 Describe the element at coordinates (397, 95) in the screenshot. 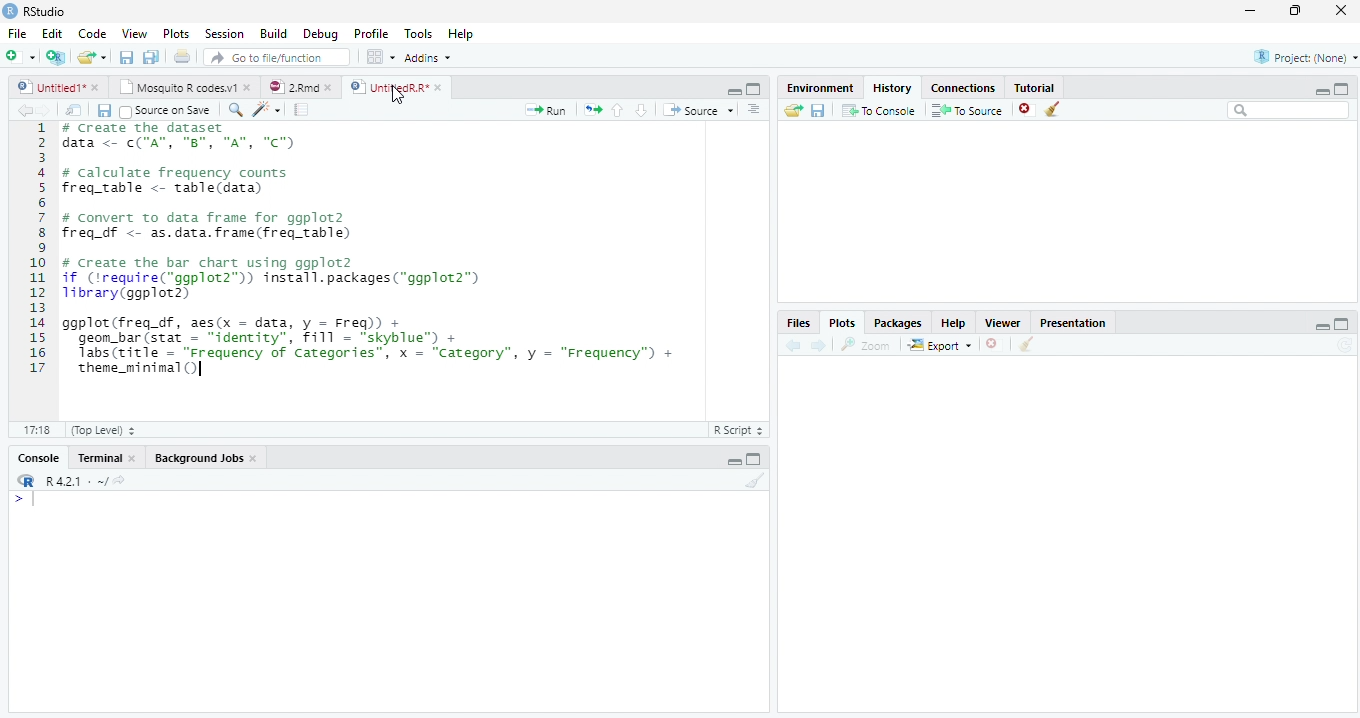

I see `Cursor` at that location.